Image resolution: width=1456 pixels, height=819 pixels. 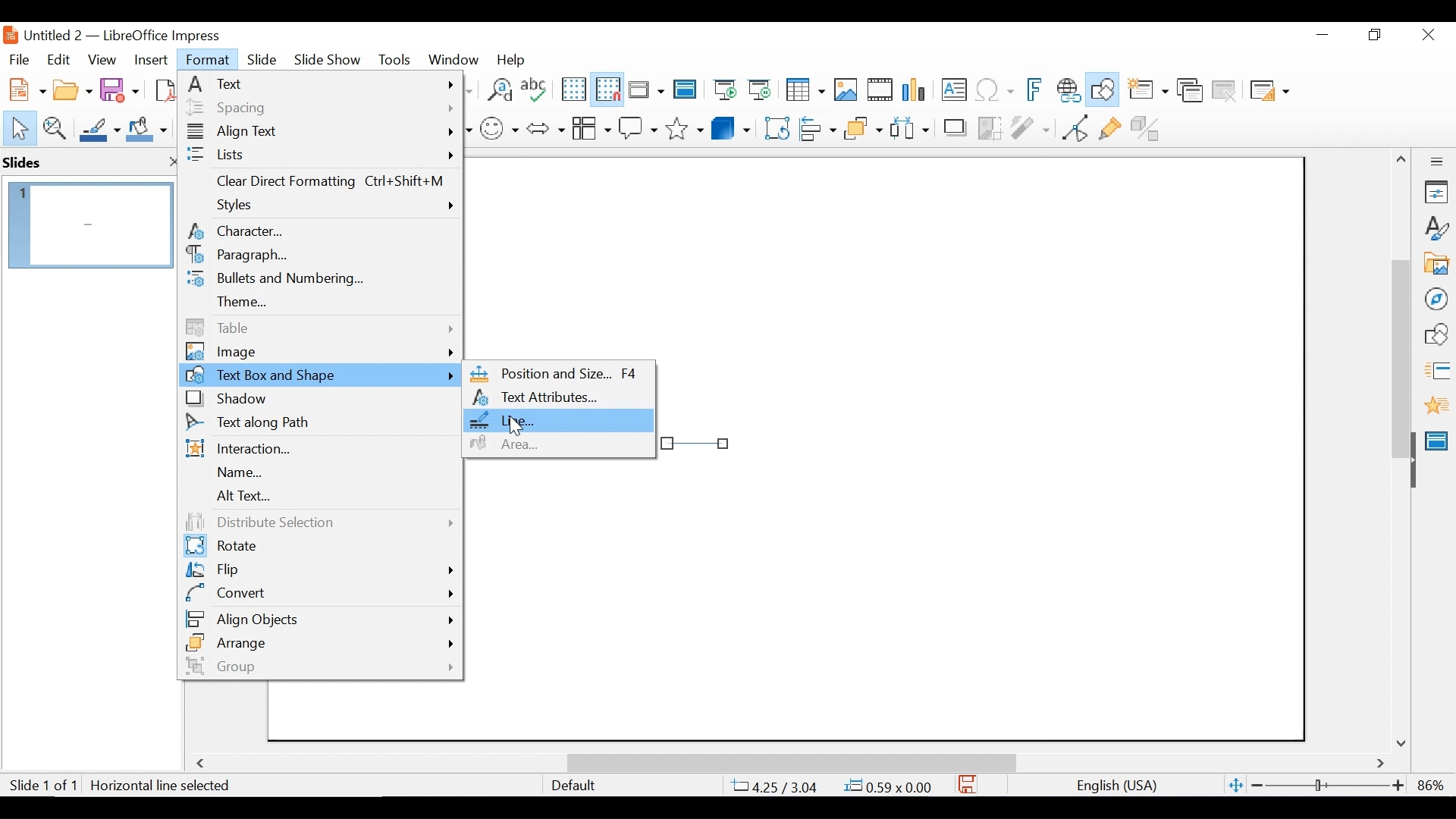 What do you see at coordinates (319, 256) in the screenshot?
I see `Paragraph` at bounding box center [319, 256].